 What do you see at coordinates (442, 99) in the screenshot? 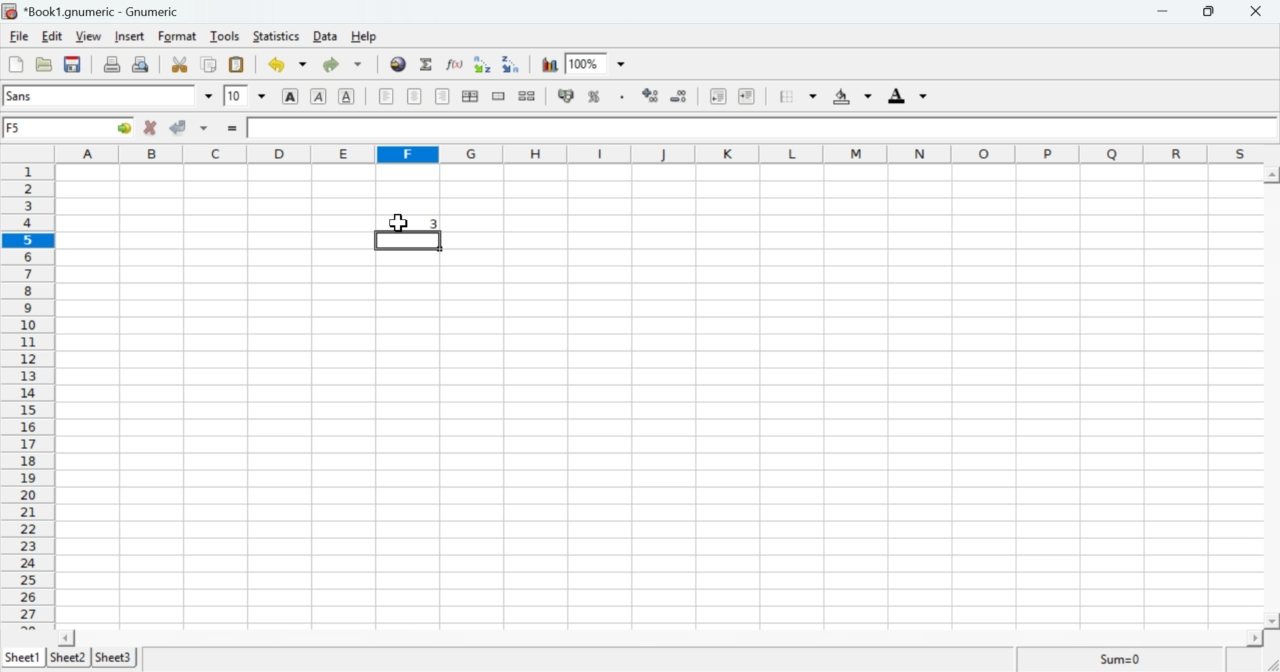
I see `Align right` at bounding box center [442, 99].